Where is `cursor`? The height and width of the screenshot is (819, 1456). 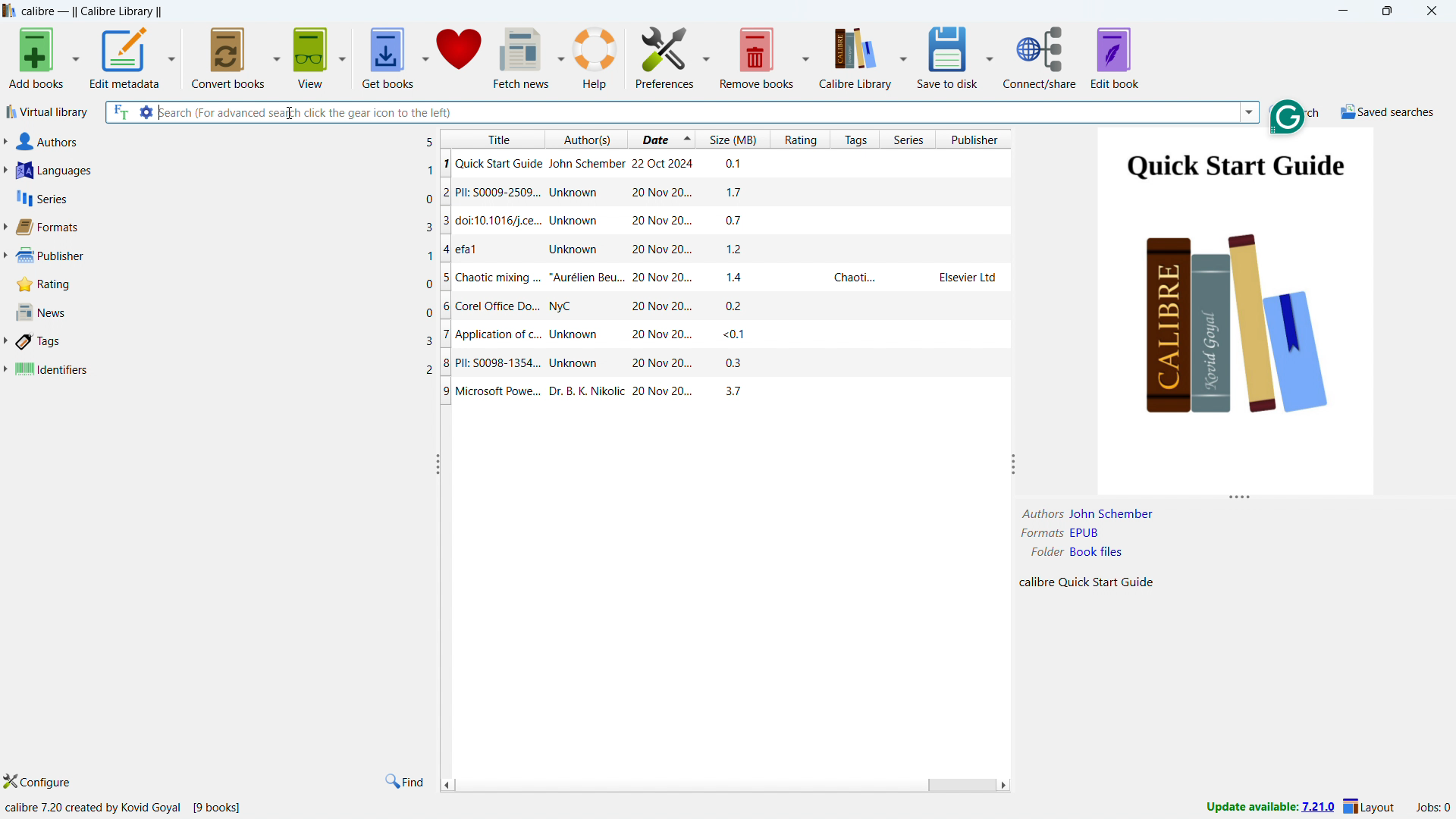
cursor is located at coordinates (292, 113).